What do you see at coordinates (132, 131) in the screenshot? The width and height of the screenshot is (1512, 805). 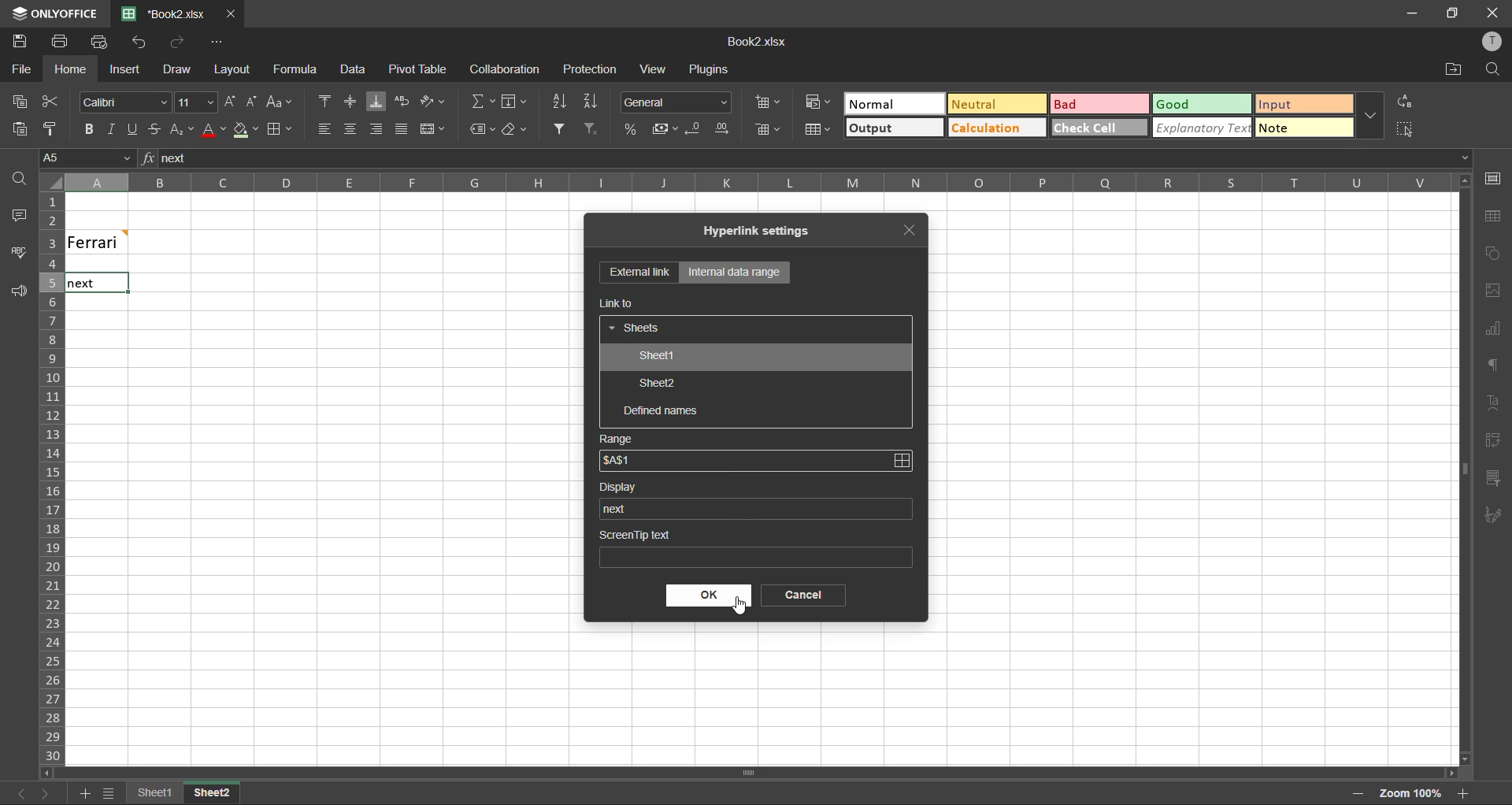 I see `underline` at bounding box center [132, 131].